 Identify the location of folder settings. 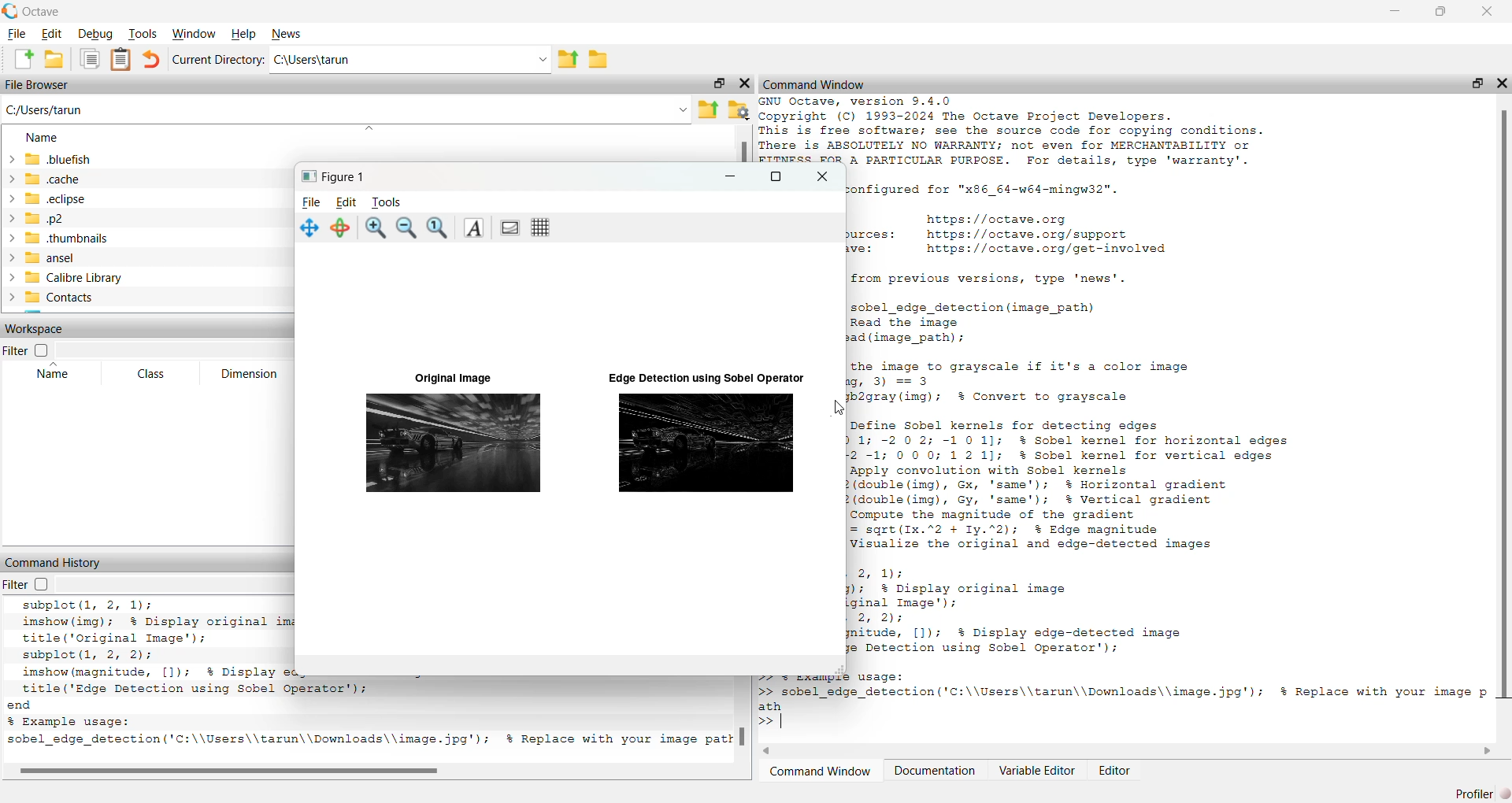
(740, 109).